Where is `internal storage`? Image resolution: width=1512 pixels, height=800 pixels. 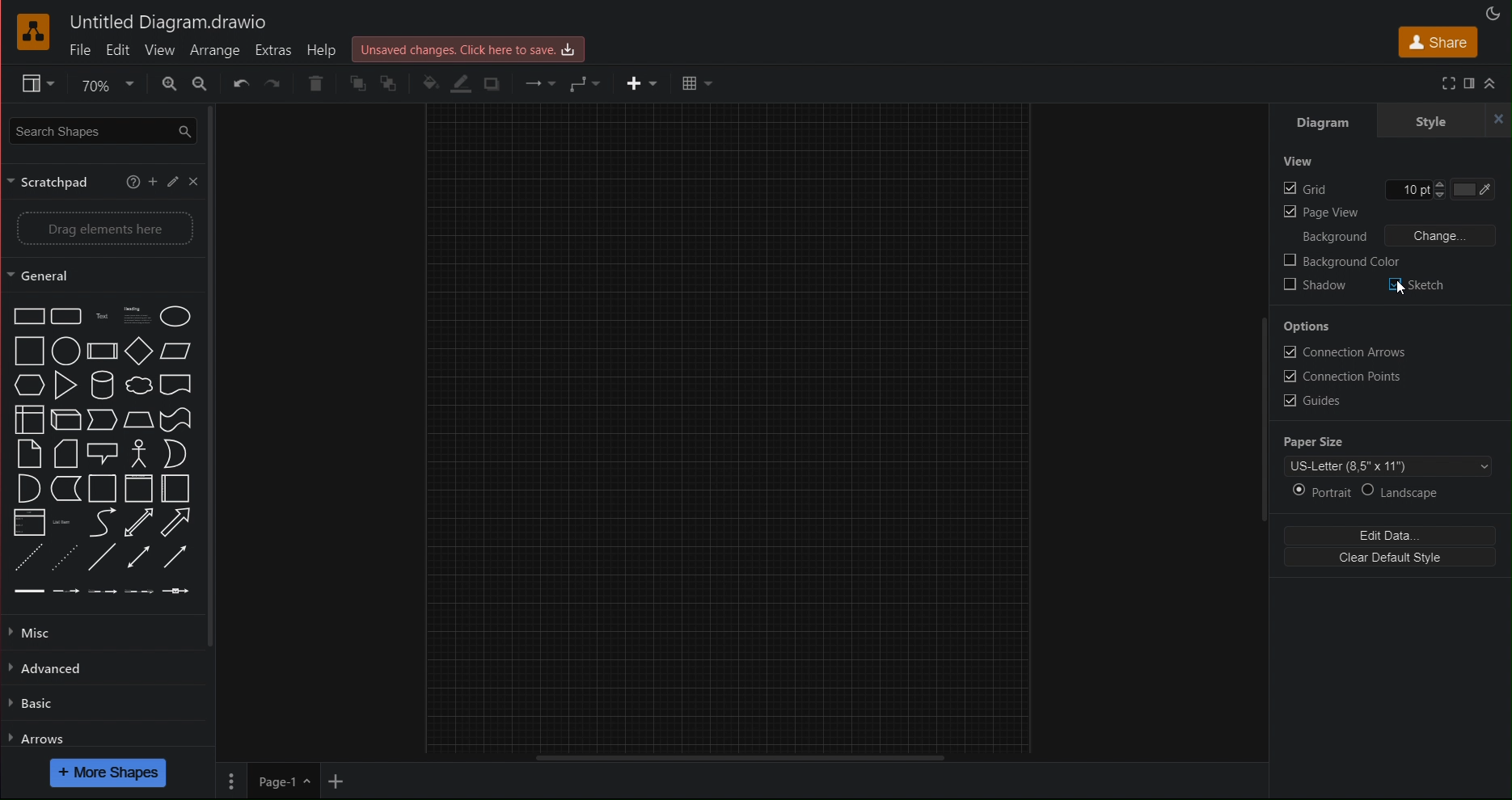 internal storage is located at coordinates (28, 419).